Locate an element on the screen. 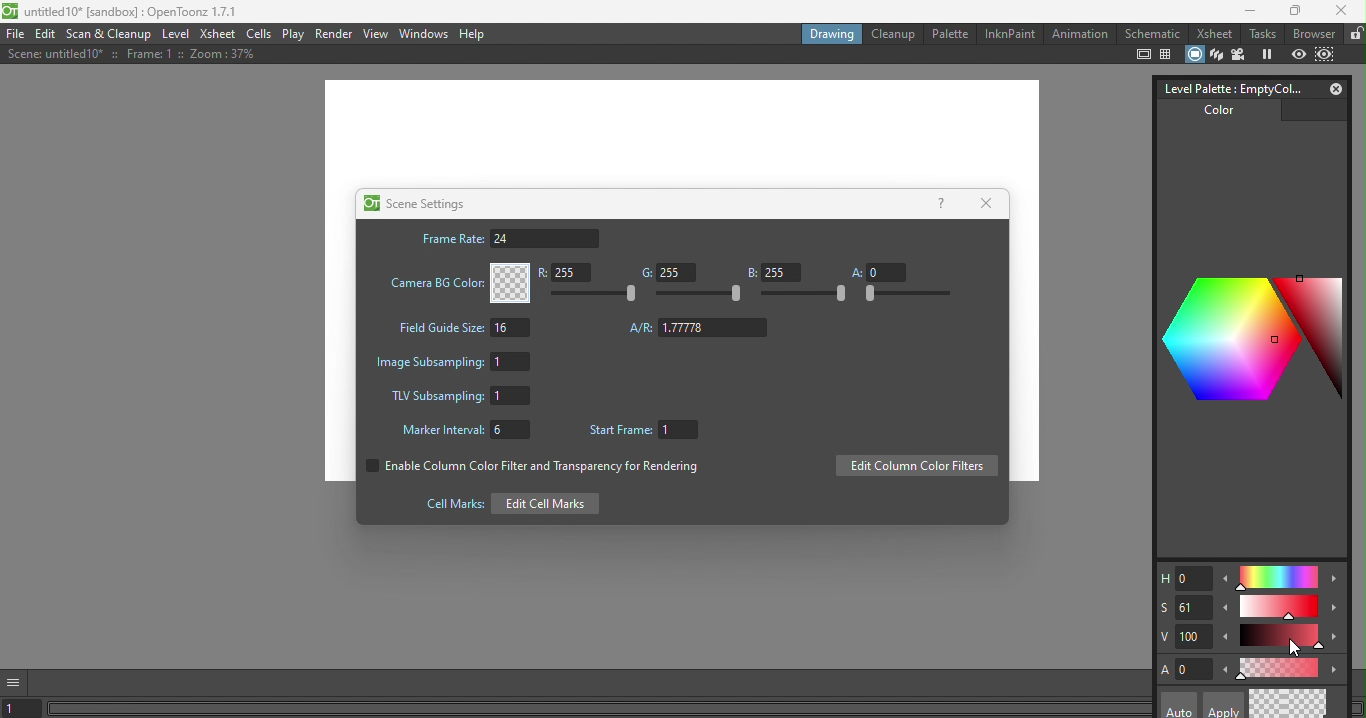 The height and width of the screenshot is (718, 1366). File is located at coordinates (15, 35).